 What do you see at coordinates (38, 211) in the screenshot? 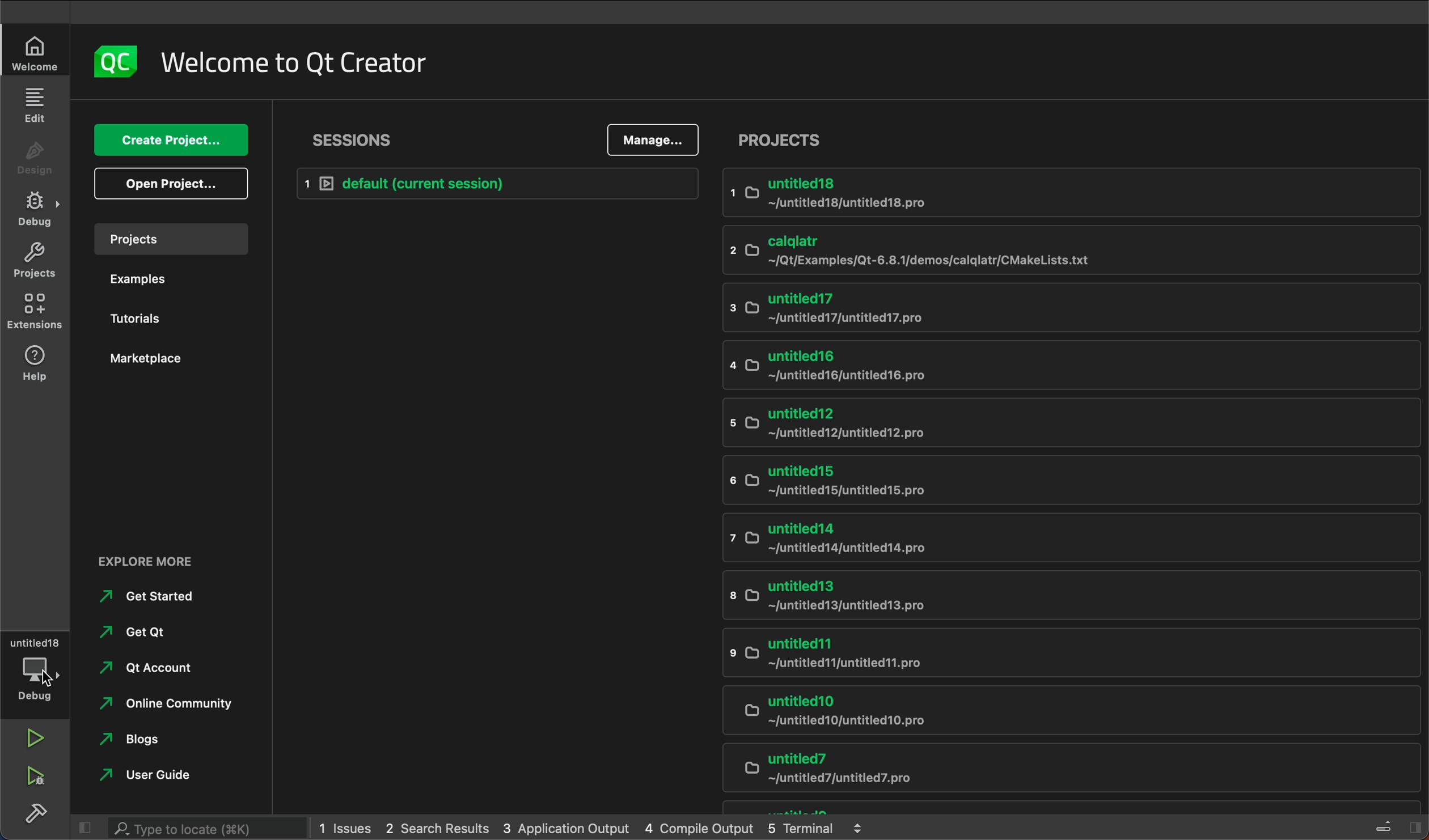
I see `debug` at bounding box center [38, 211].